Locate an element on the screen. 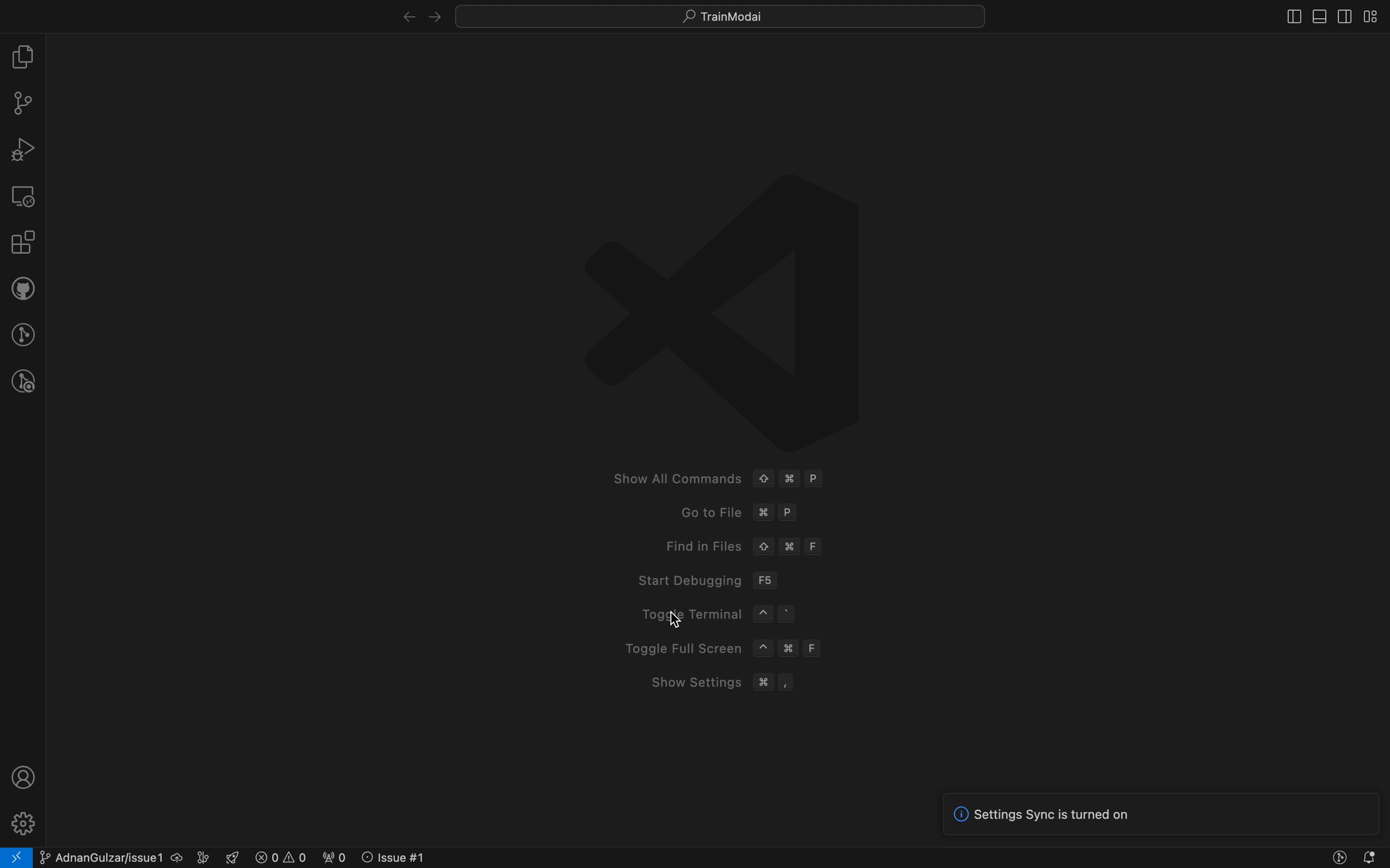  extensions is located at coordinates (21, 243).